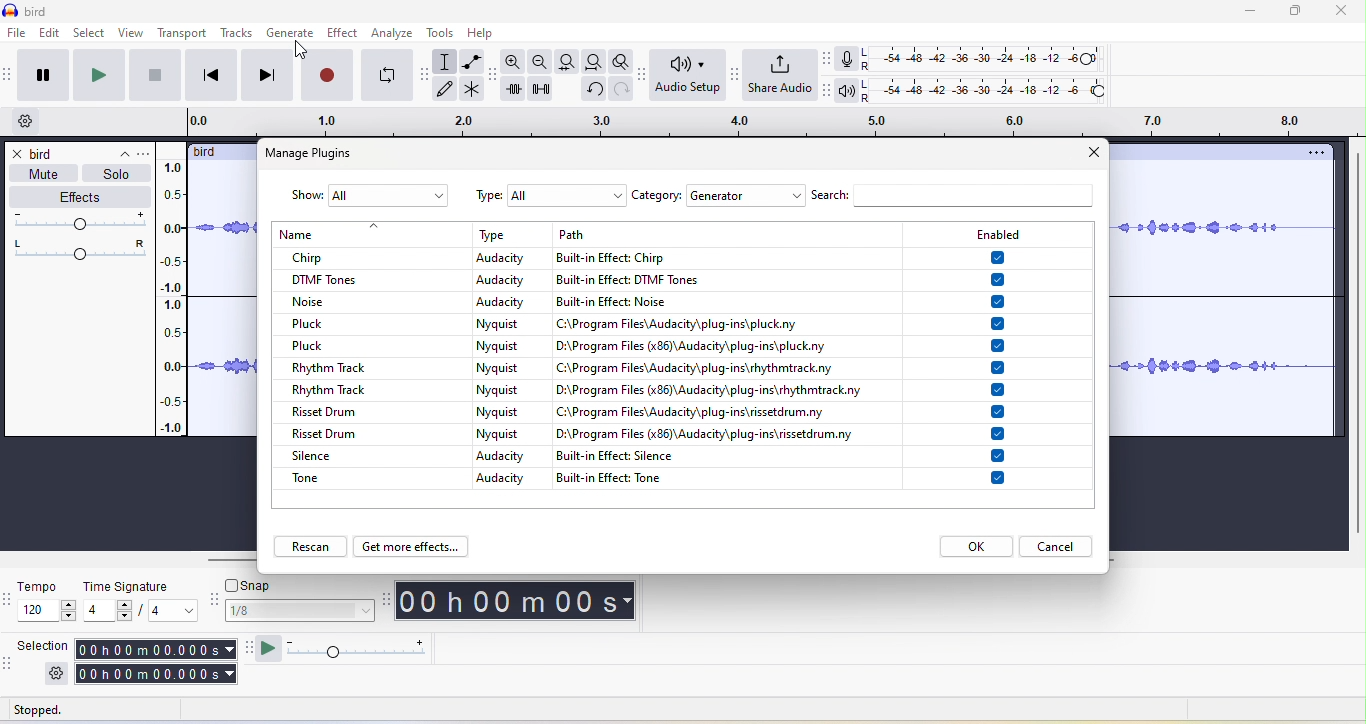 The image size is (1366, 724). What do you see at coordinates (779, 75) in the screenshot?
I see `share audio` at bounding box center [779, 75].